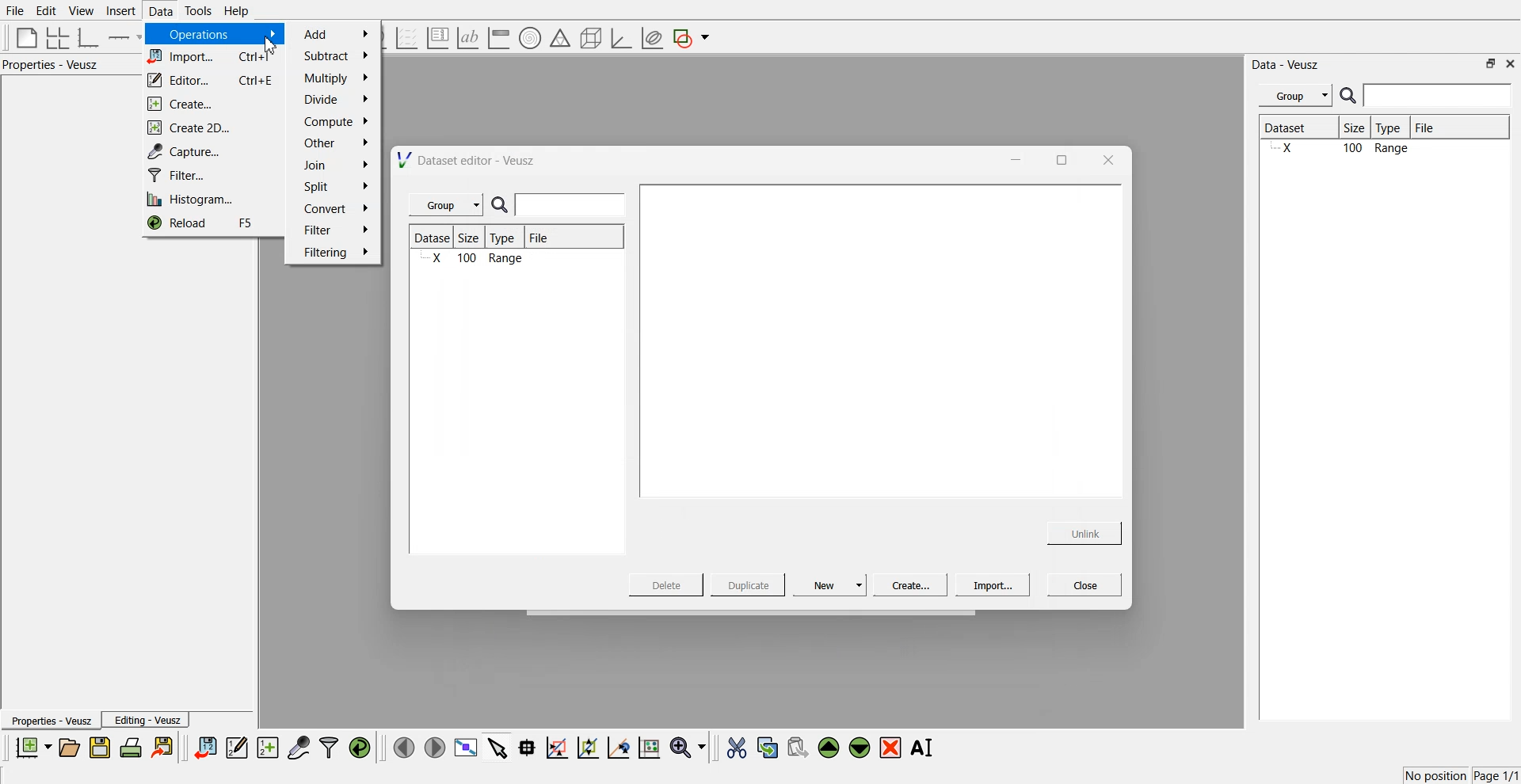 Image resolution: width=1521 pixels, height=784 pixels. What do you see at coordinates (620, 39) in the screenshot?
I see `3d graph` at bounding box center [620, 39].